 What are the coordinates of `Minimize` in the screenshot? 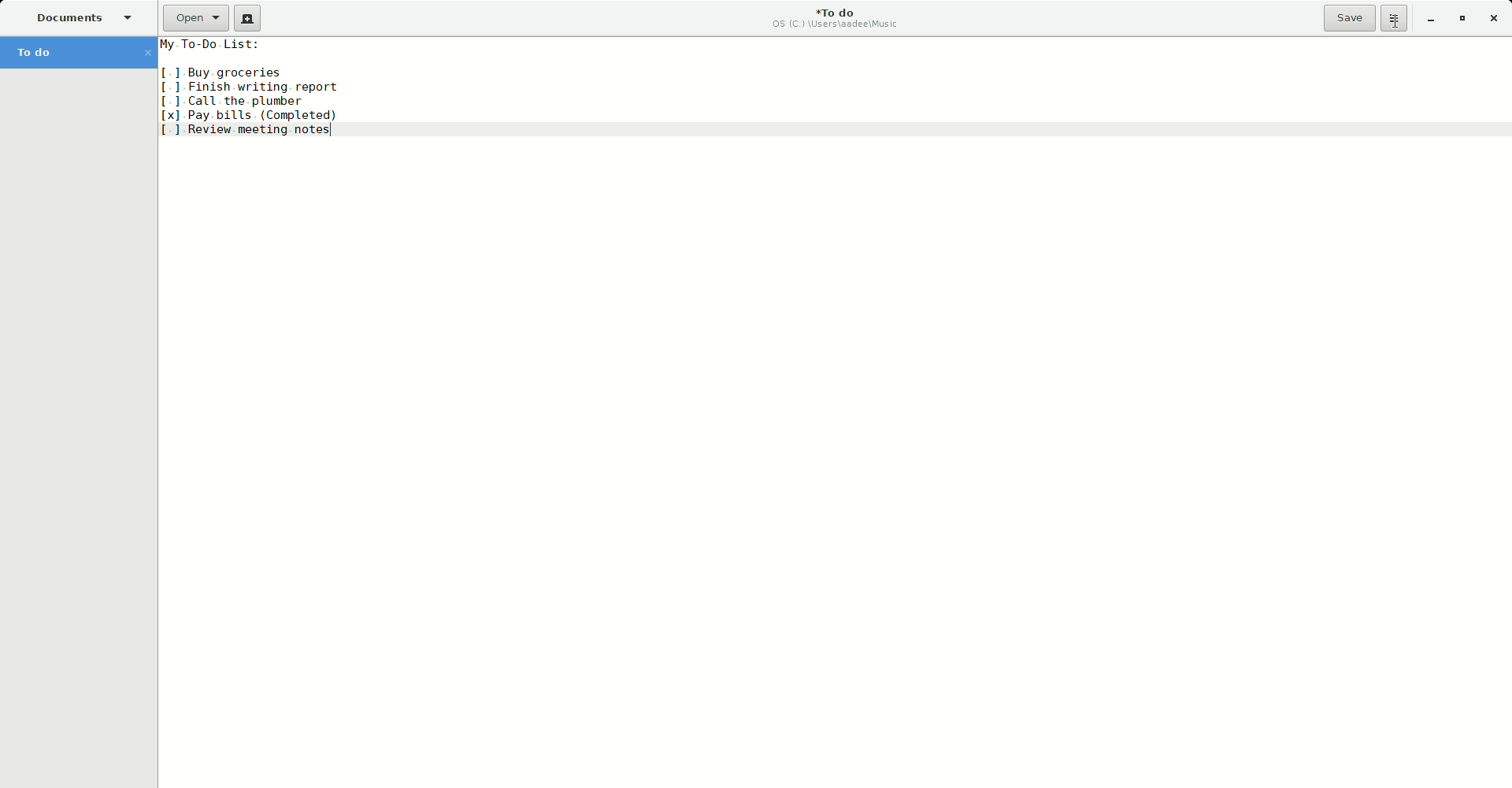 It's located at (1431, 20).